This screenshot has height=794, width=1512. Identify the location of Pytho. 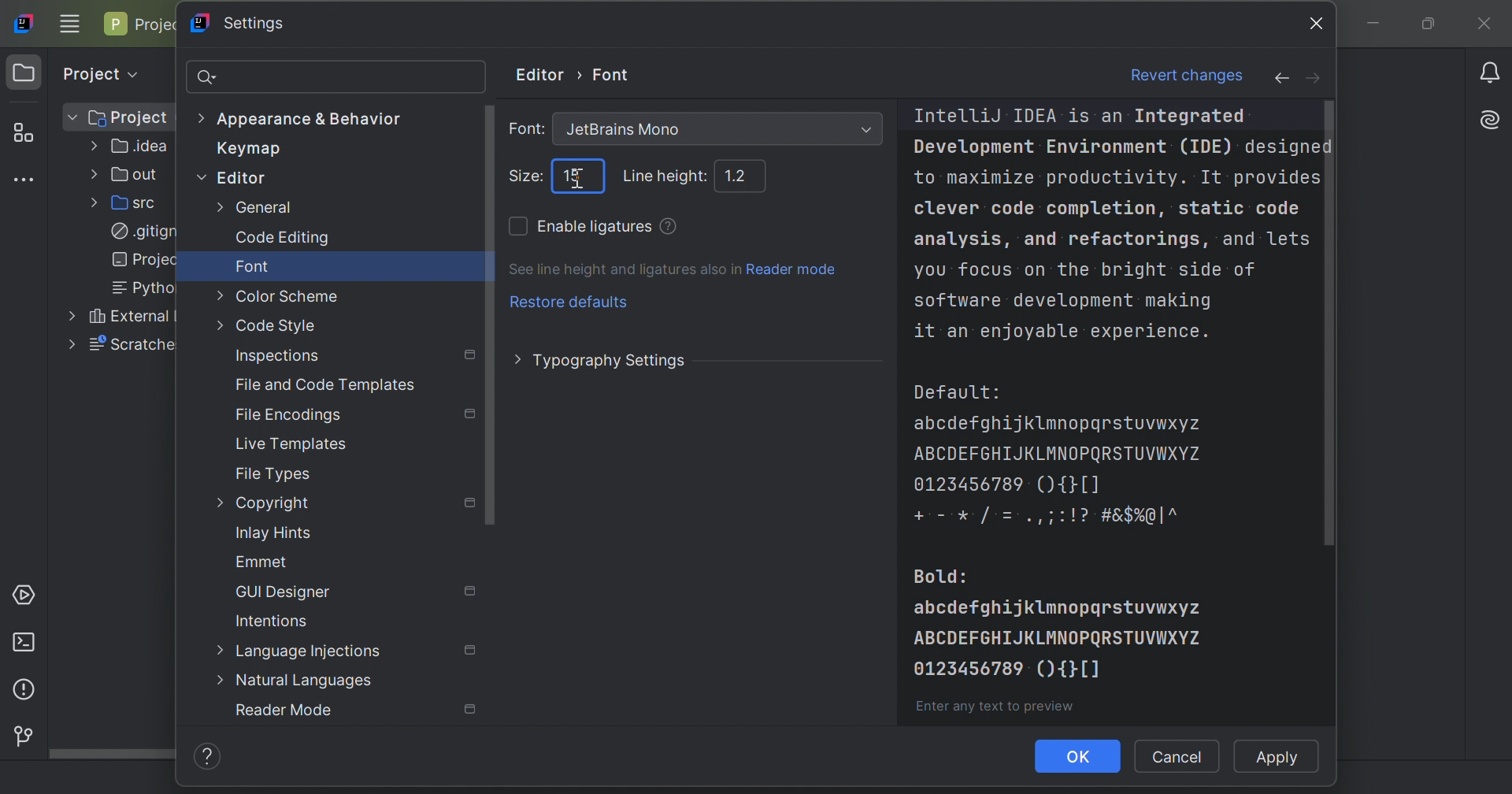
(138, 288).